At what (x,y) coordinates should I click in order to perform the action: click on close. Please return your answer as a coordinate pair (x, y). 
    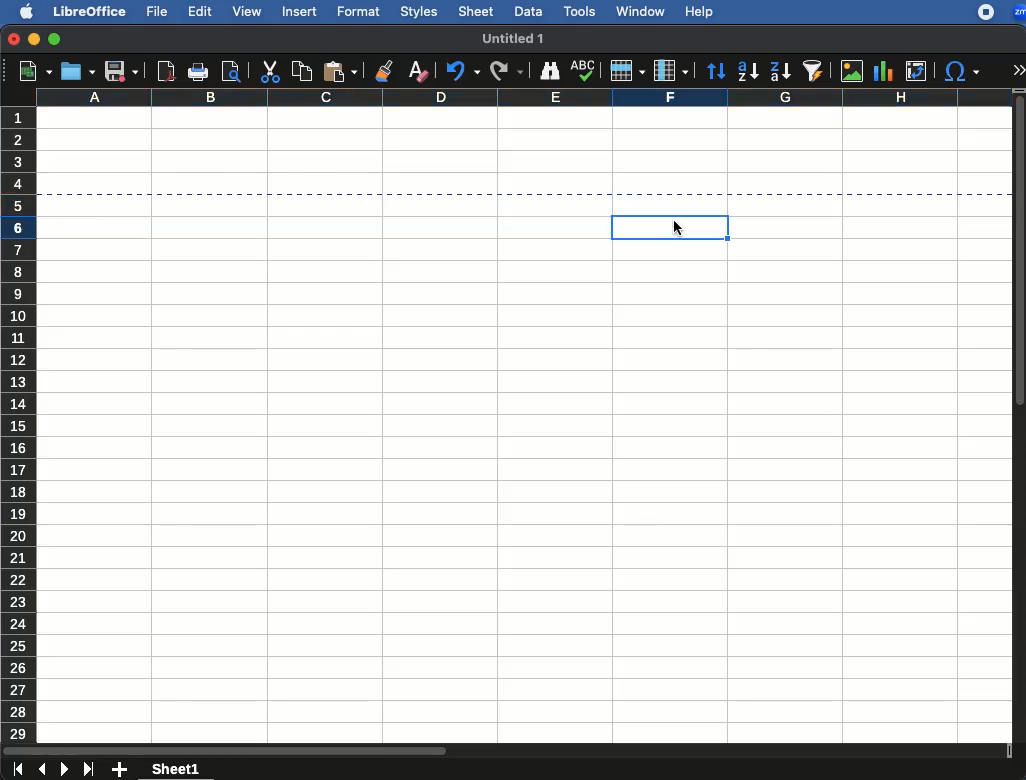
    Looking at the image, I should click on (12, 39).